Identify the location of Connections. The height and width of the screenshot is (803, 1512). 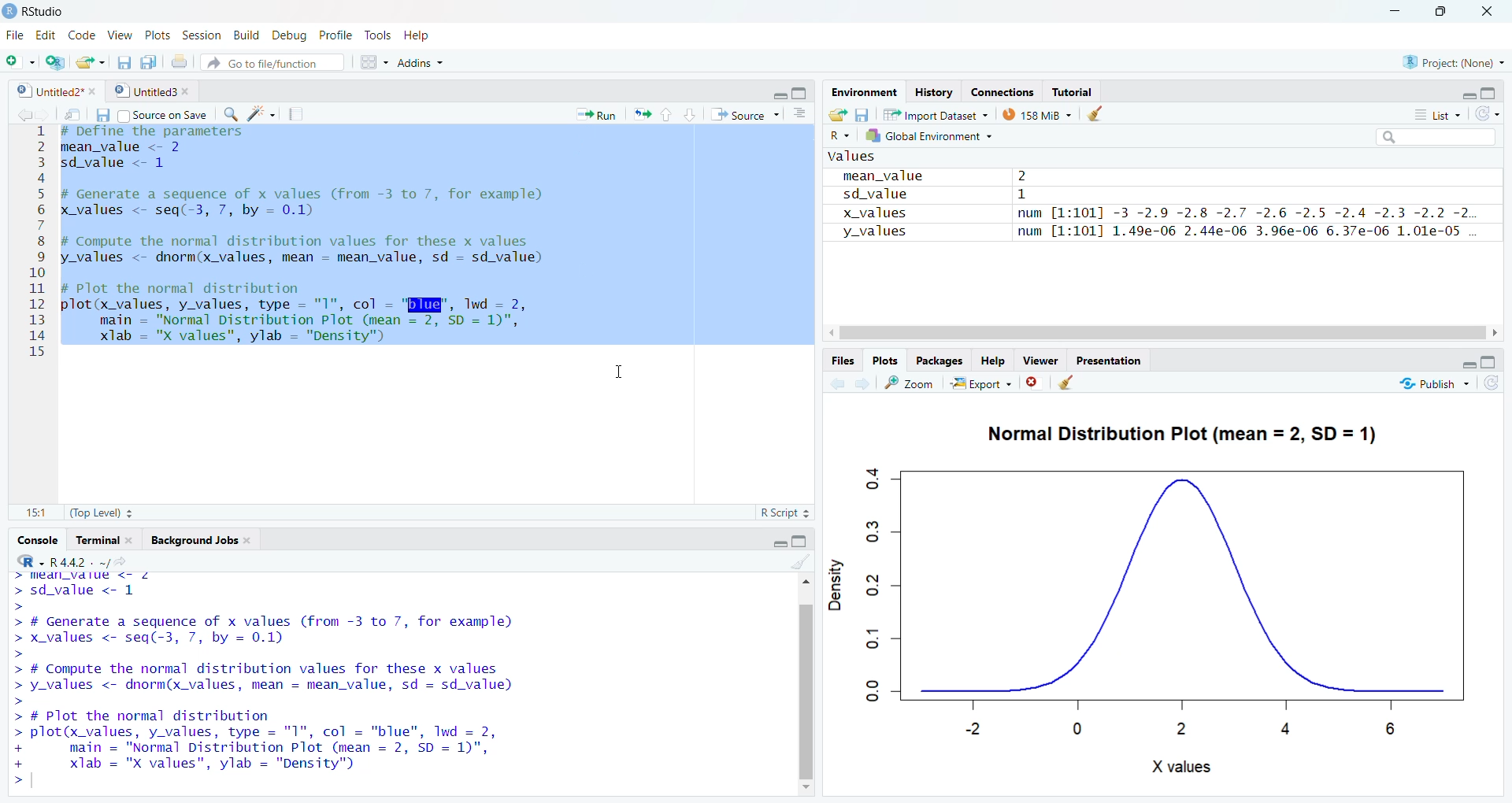
(999, 91).